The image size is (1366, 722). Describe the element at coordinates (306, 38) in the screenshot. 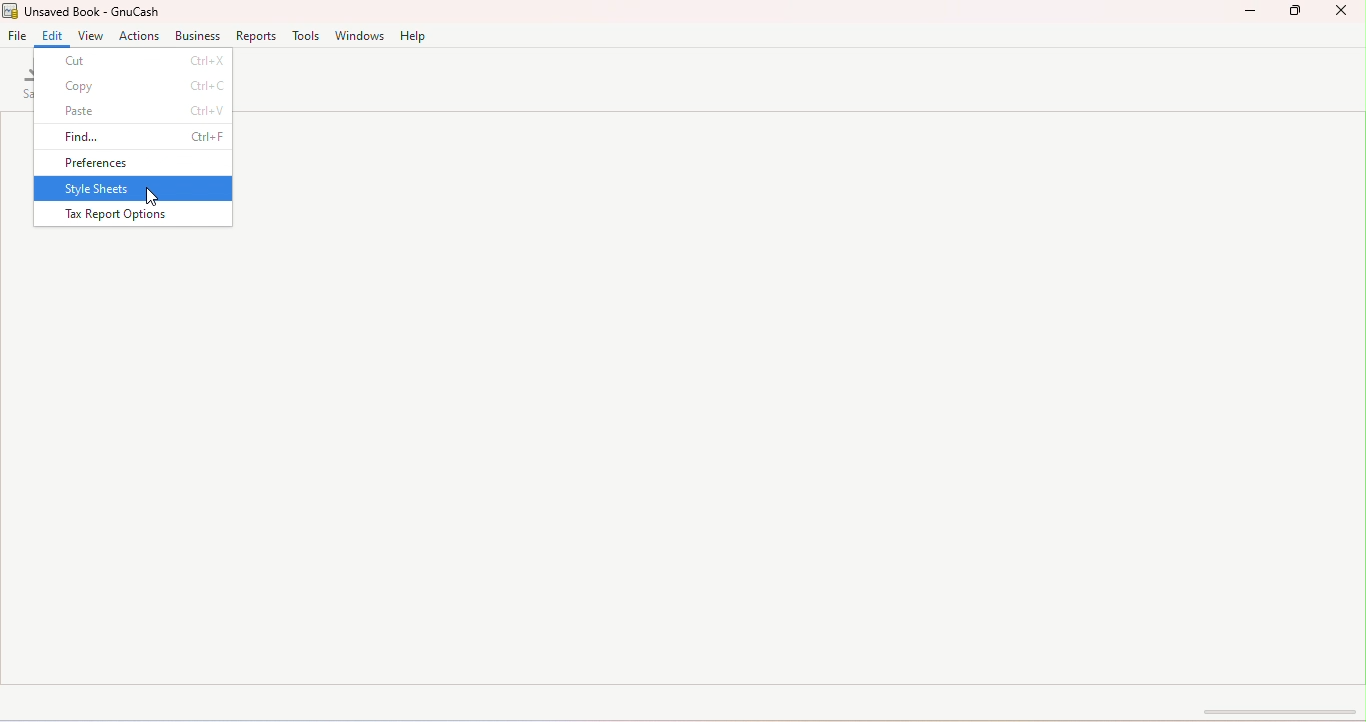

I see `Tools` at that location.